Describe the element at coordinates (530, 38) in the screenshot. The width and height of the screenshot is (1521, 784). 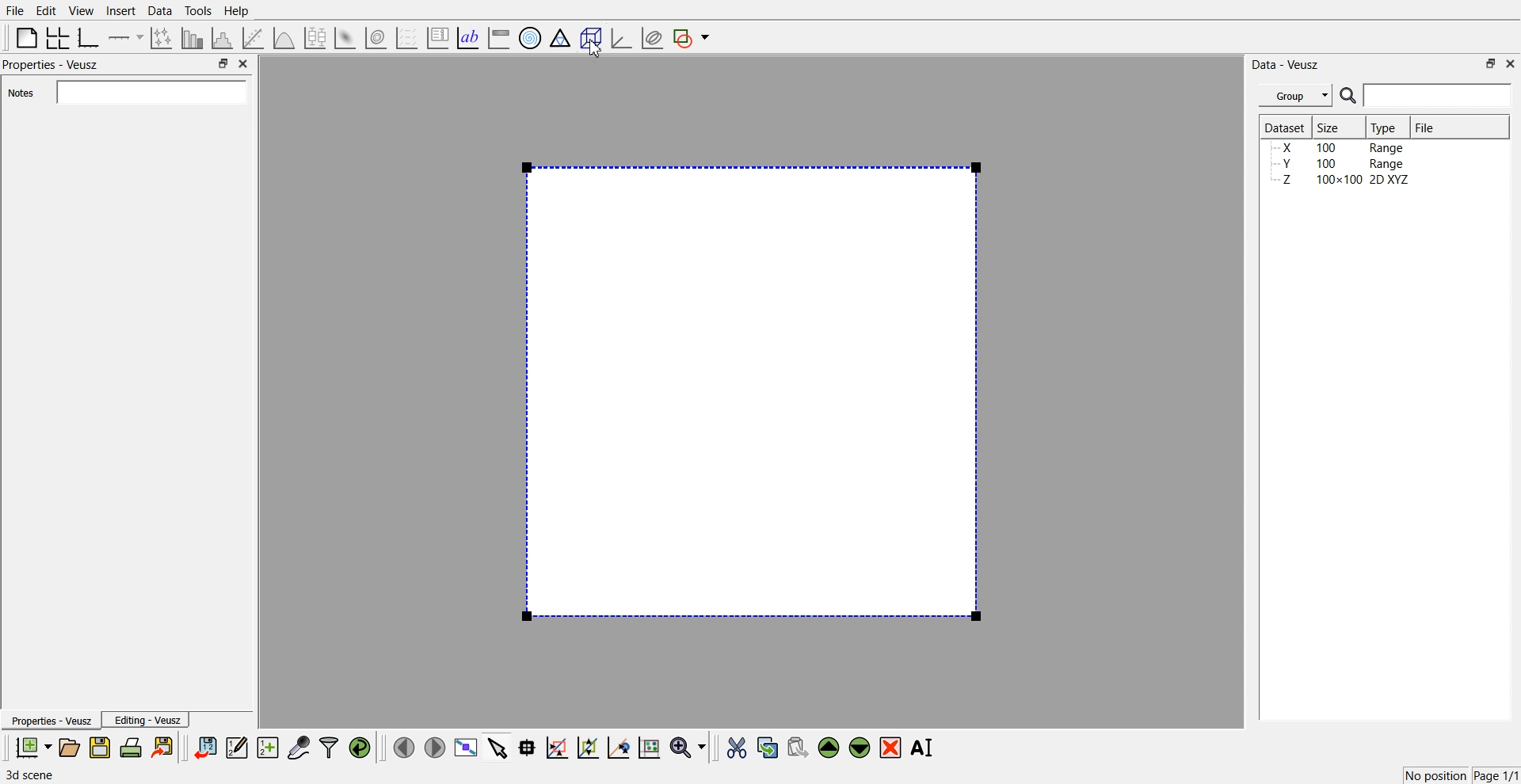
I see `Polar Graph` at that location.